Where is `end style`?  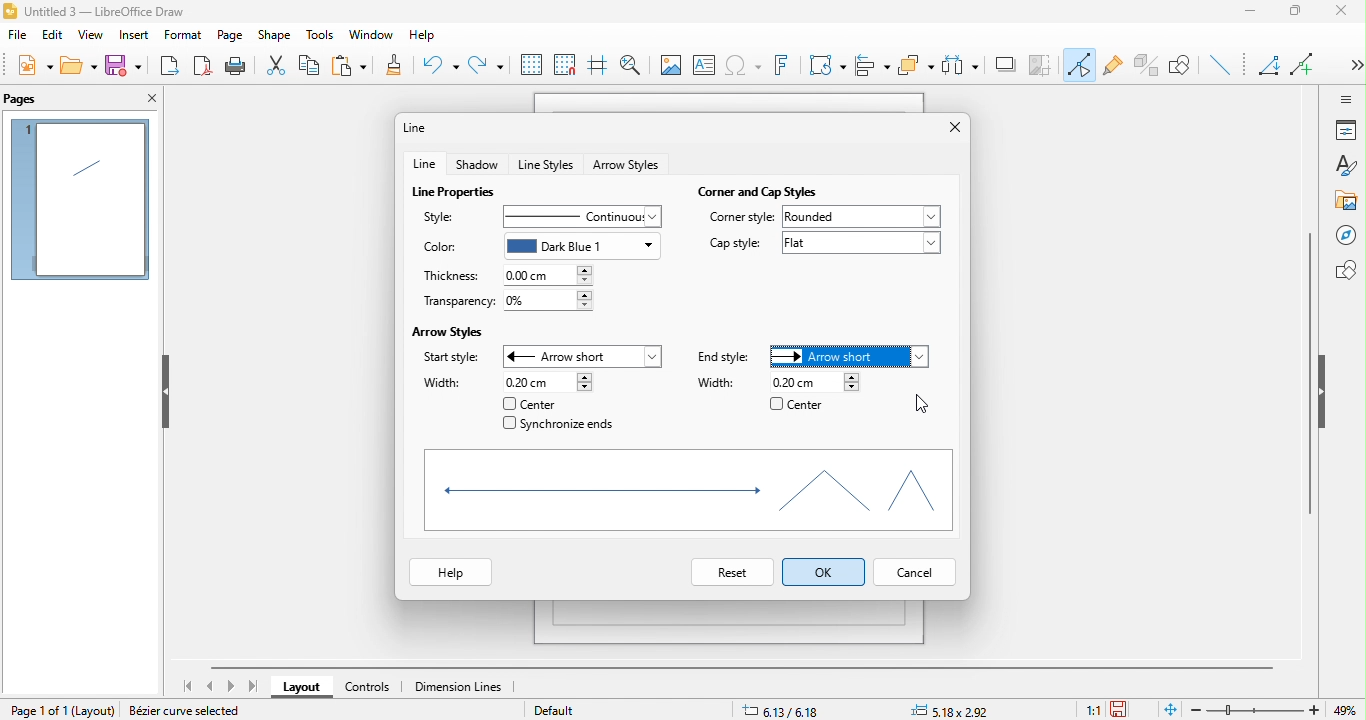
end style is located at coordinates (728, 357).